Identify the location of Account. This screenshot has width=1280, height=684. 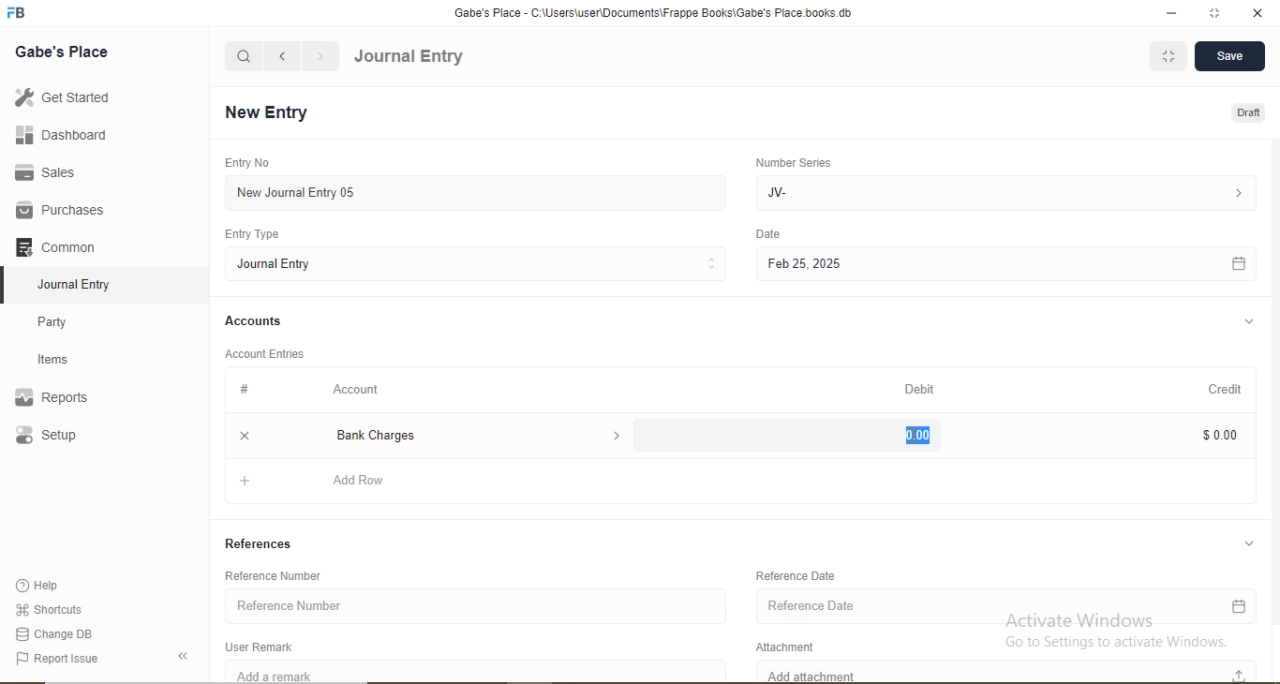
(357, 389).